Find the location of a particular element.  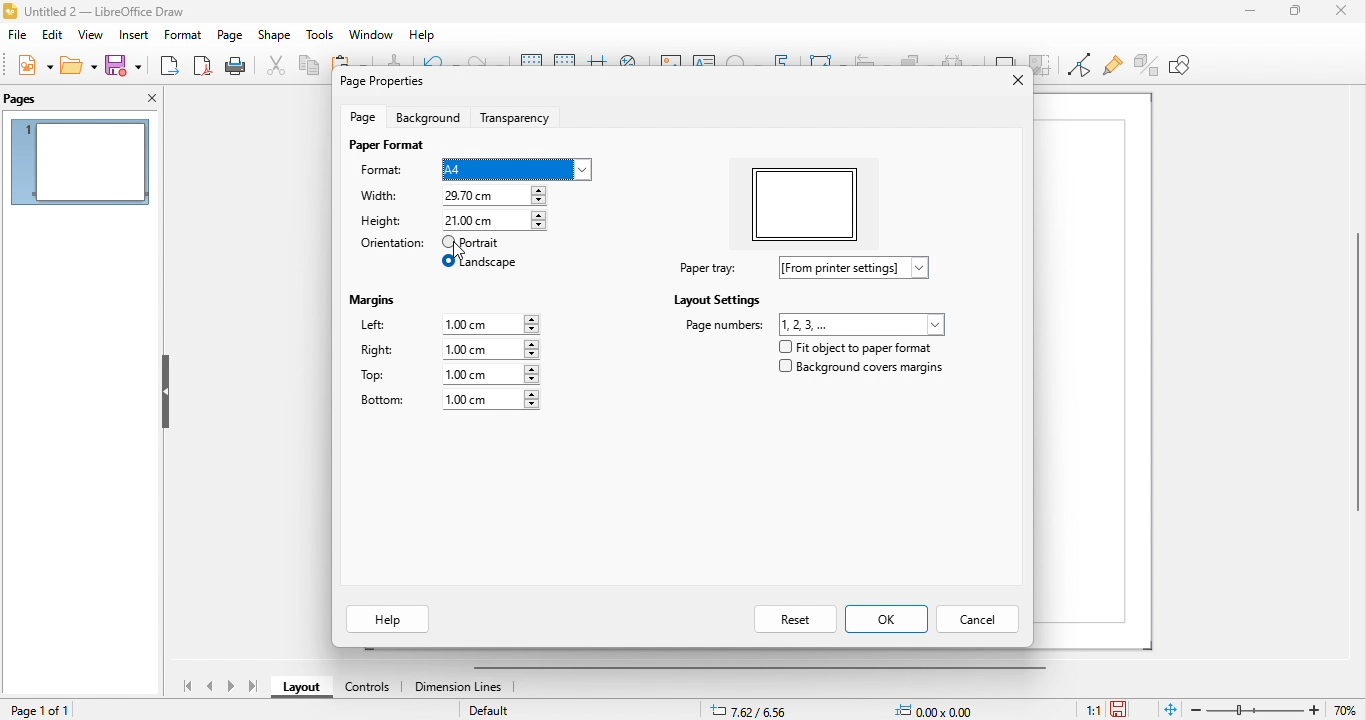

edit is located at coordinates (53, 35).